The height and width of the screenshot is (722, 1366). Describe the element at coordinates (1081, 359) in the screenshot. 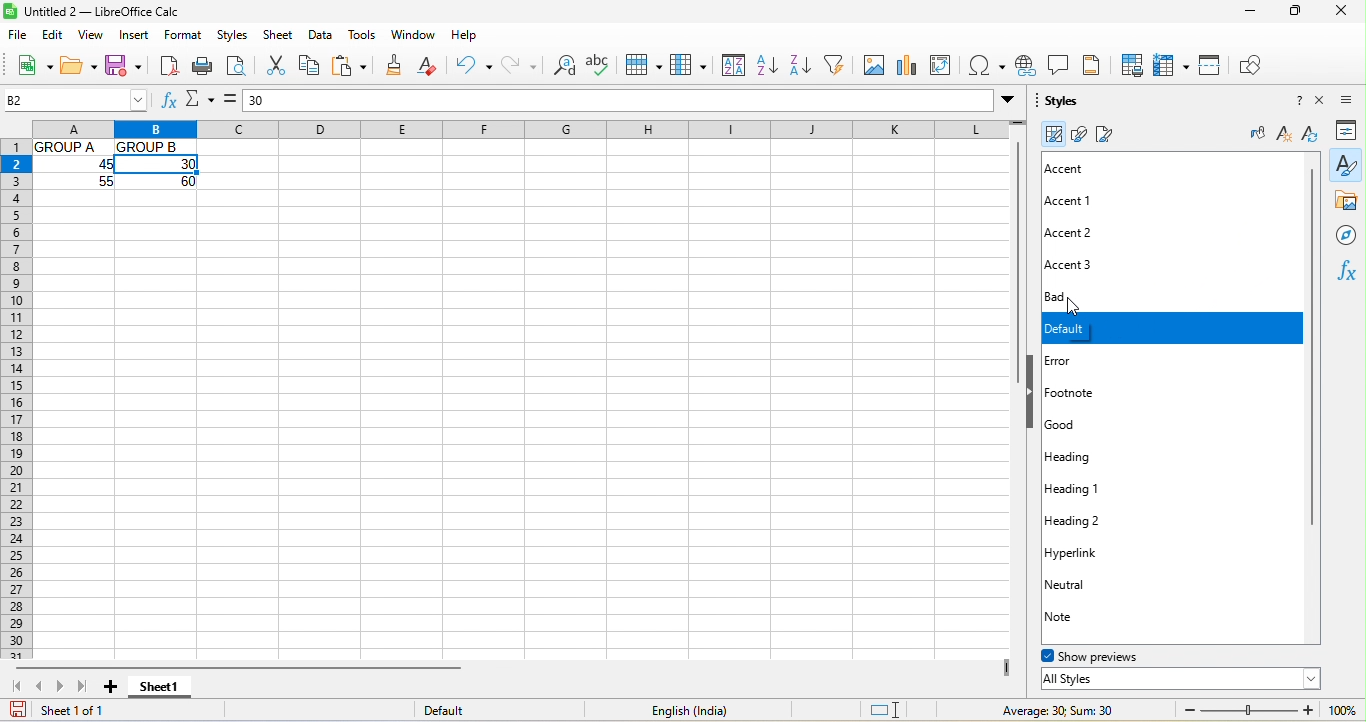

I see `error` at that location.